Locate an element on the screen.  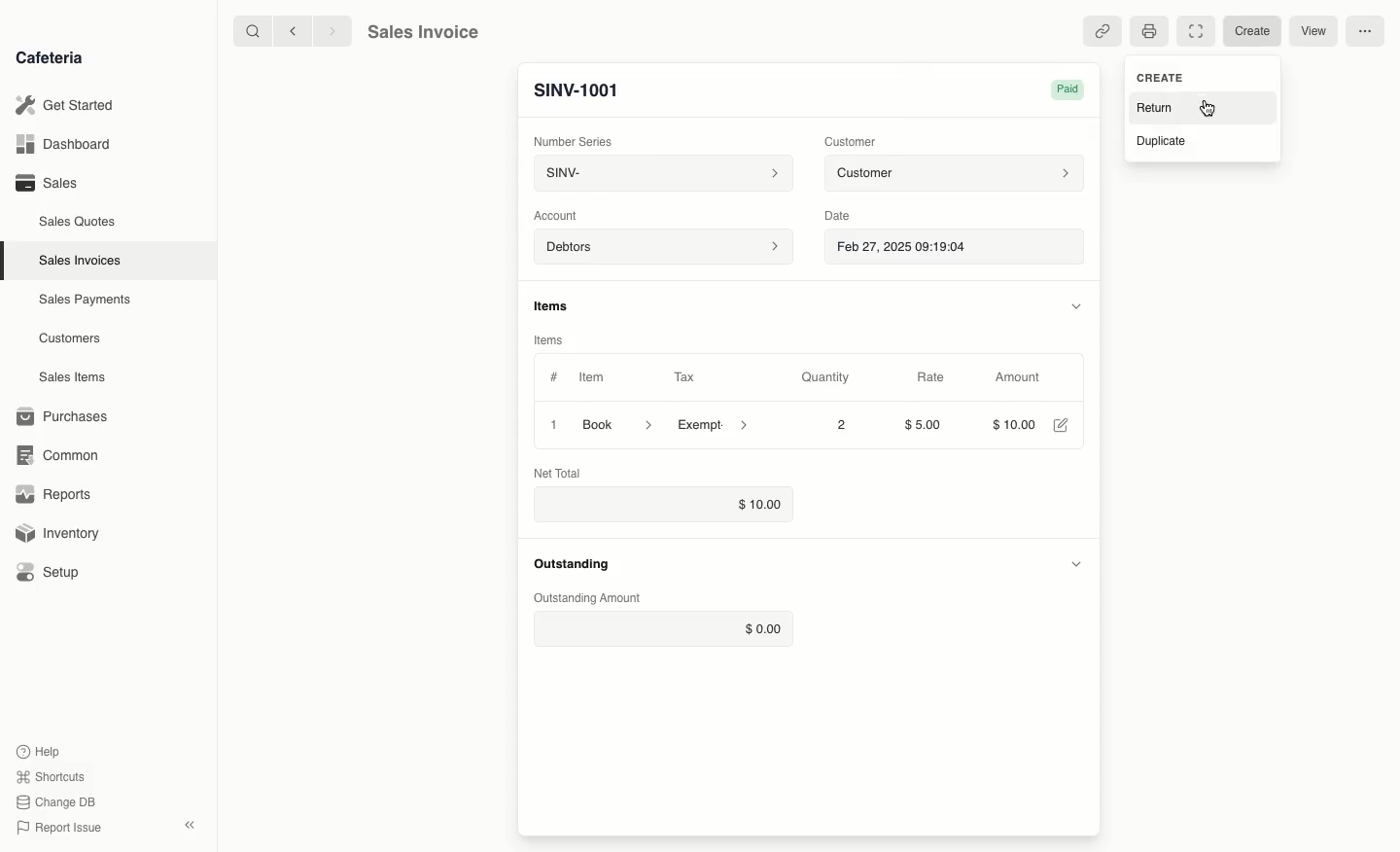
2 is located at coordinates (843, 426).